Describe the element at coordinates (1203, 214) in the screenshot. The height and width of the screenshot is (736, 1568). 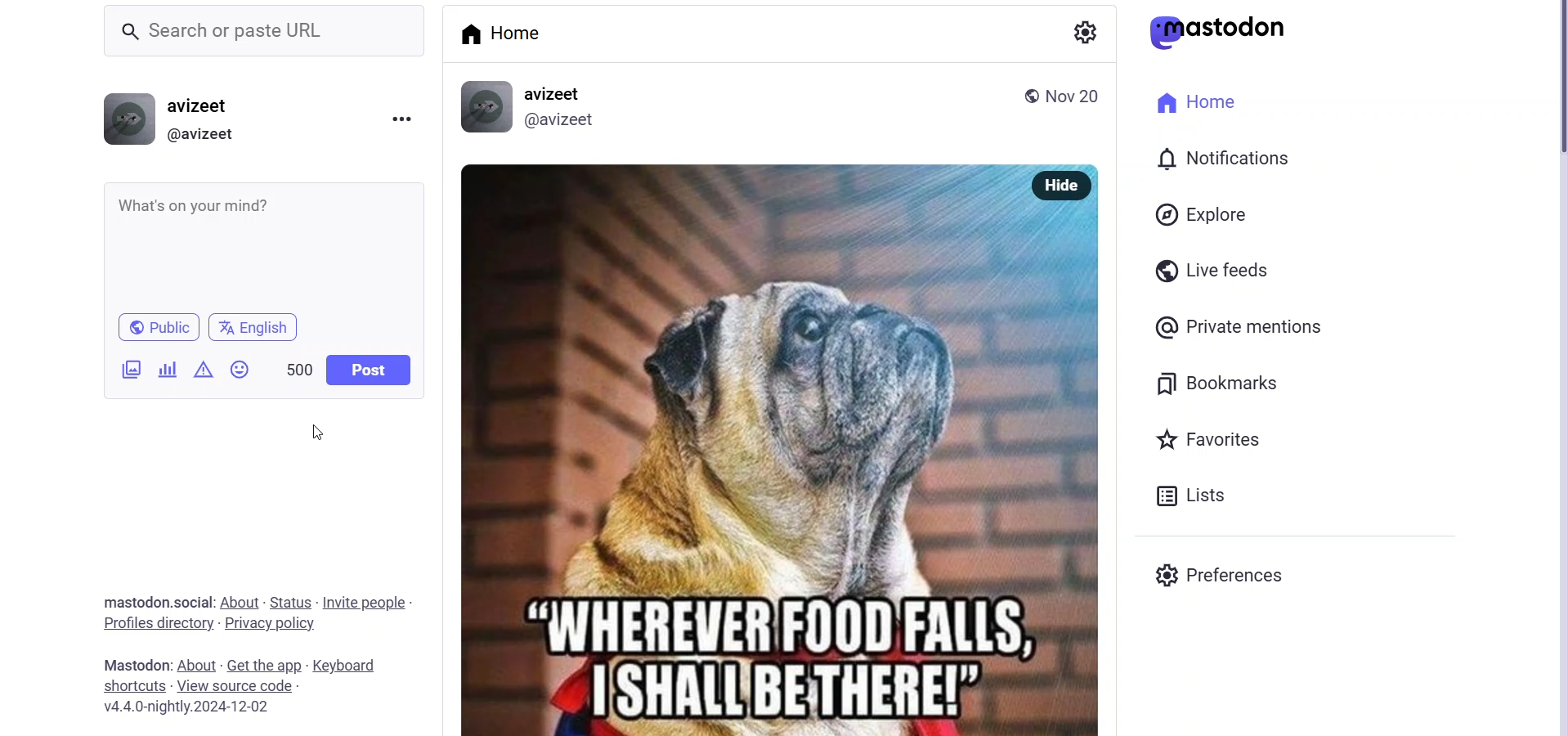
I see `explore` at that location.